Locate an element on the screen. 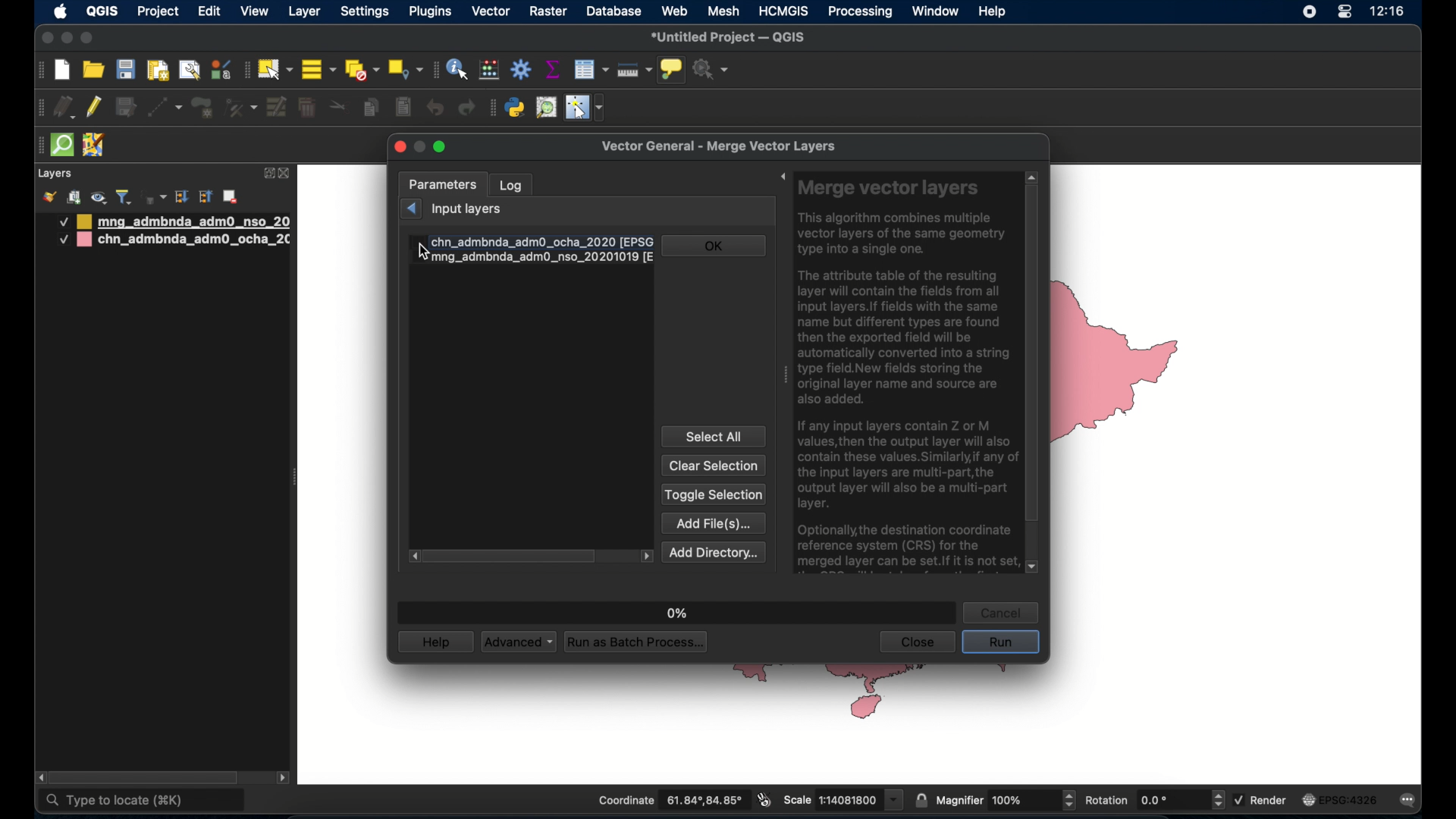 This screenshot has width=1456, height=819. maximize is located at coordinates (443, 149).